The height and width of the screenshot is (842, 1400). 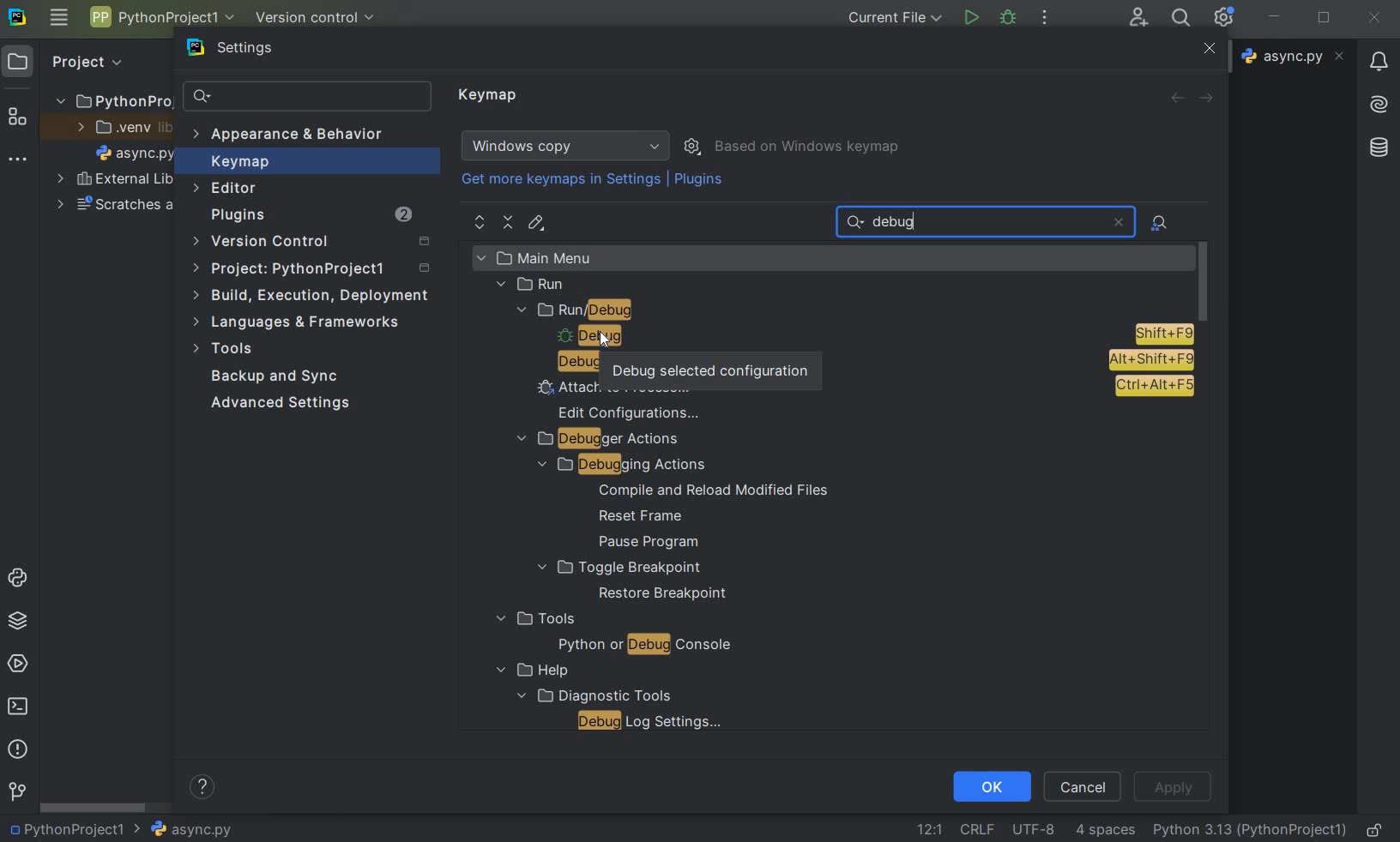 I want to click on back, so click(x=1176, y=98).